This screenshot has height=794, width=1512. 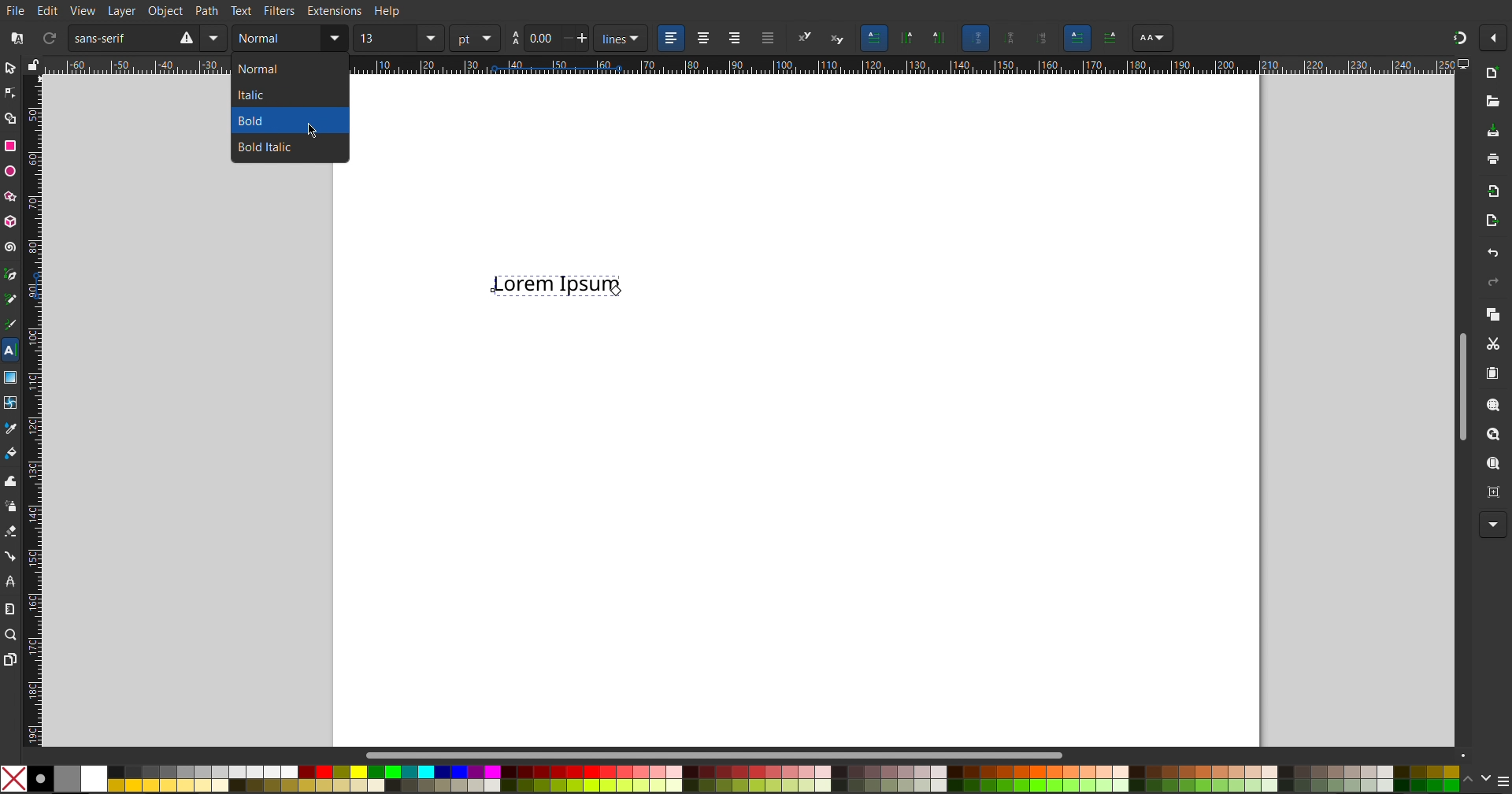 What do you see at coordinates (1492, 343) in the screenshot?
I see `Cut` at bounding box center [1492, 343].